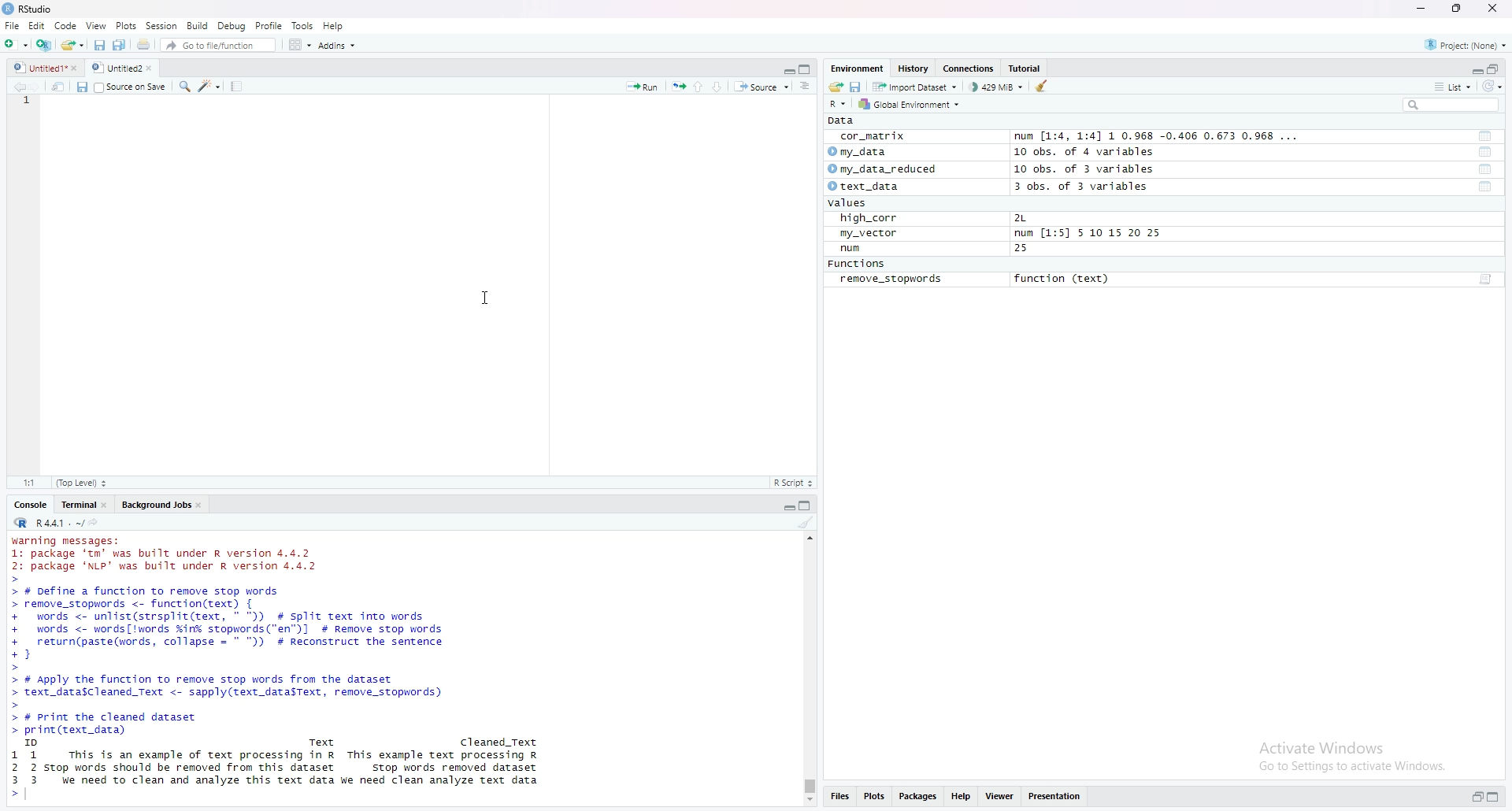  I want to click on Go to Settings to activate Windows., so click(1351, 767).